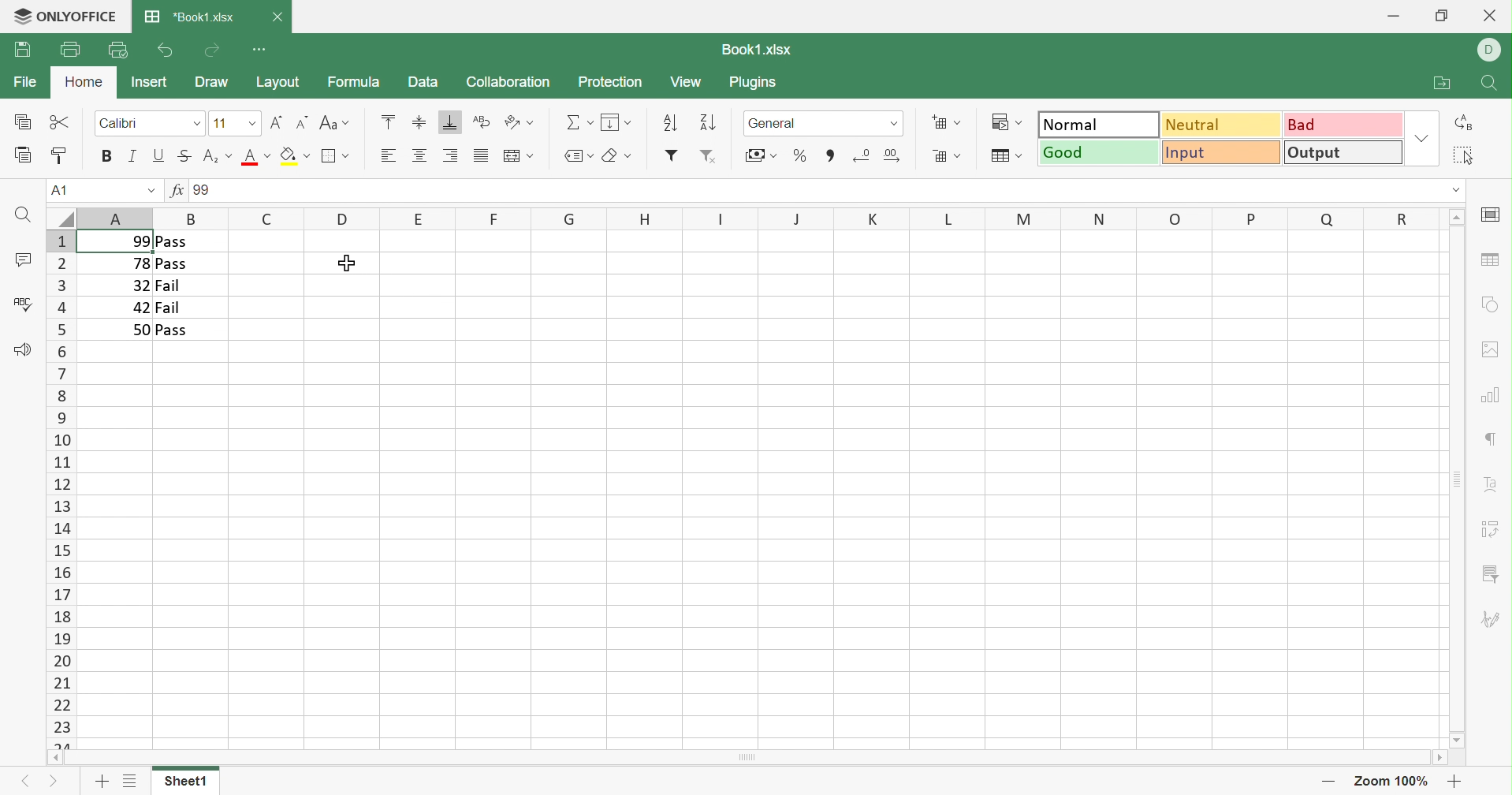 This screenshot has height=795, width=1512. I want to click on Chart settings, so click(1488, 393).